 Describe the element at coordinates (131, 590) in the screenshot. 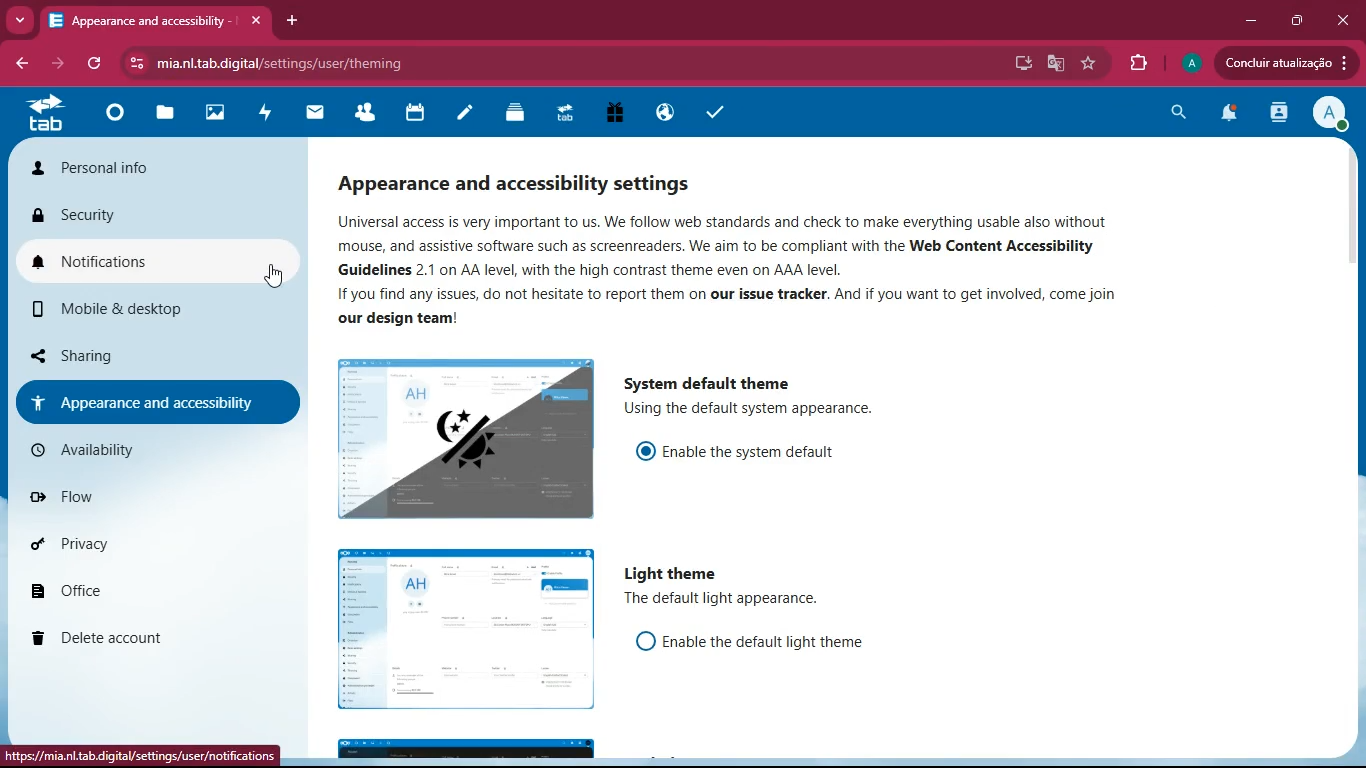

I see `office` at that location.